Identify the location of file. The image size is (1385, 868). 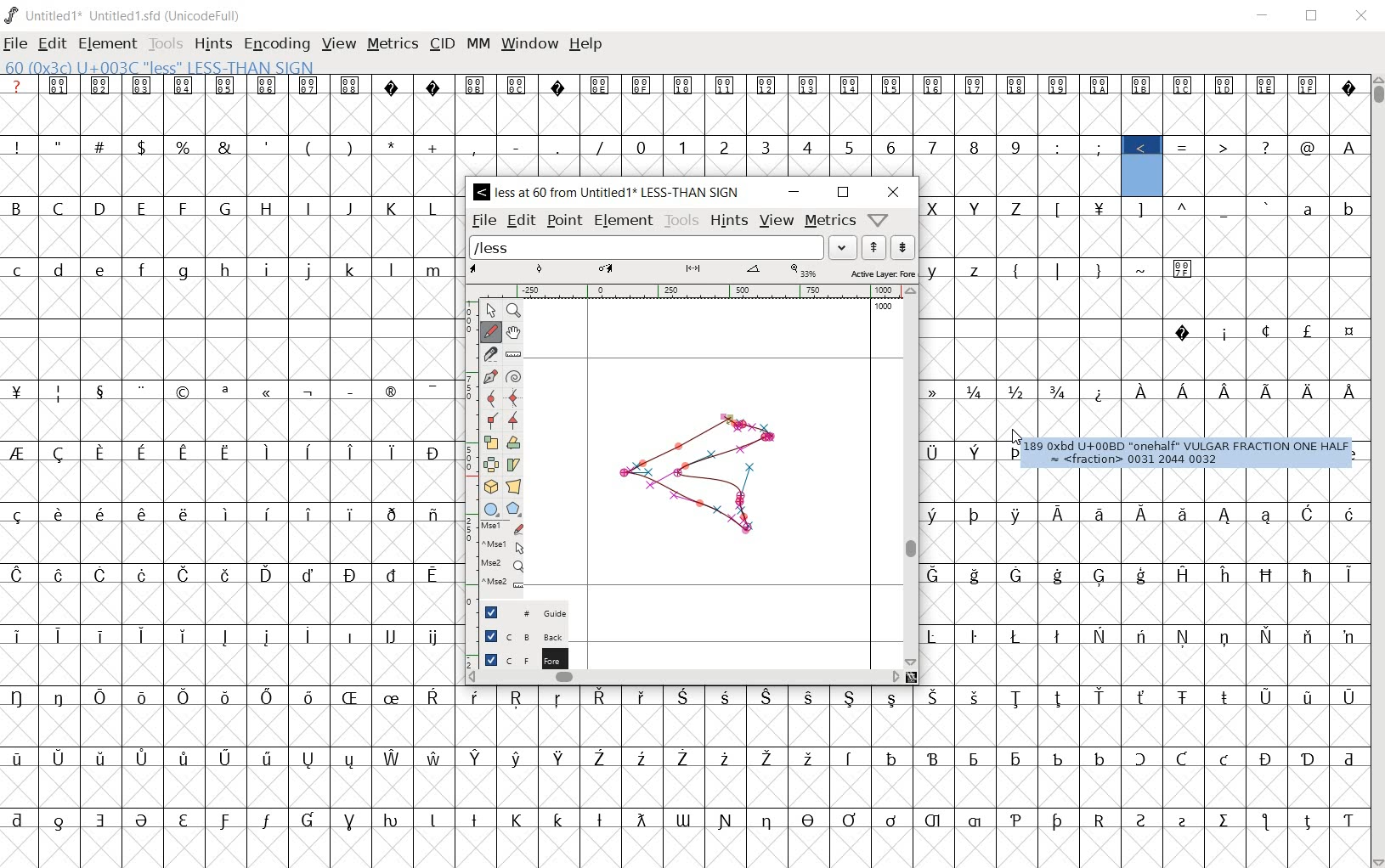
(17, 44).